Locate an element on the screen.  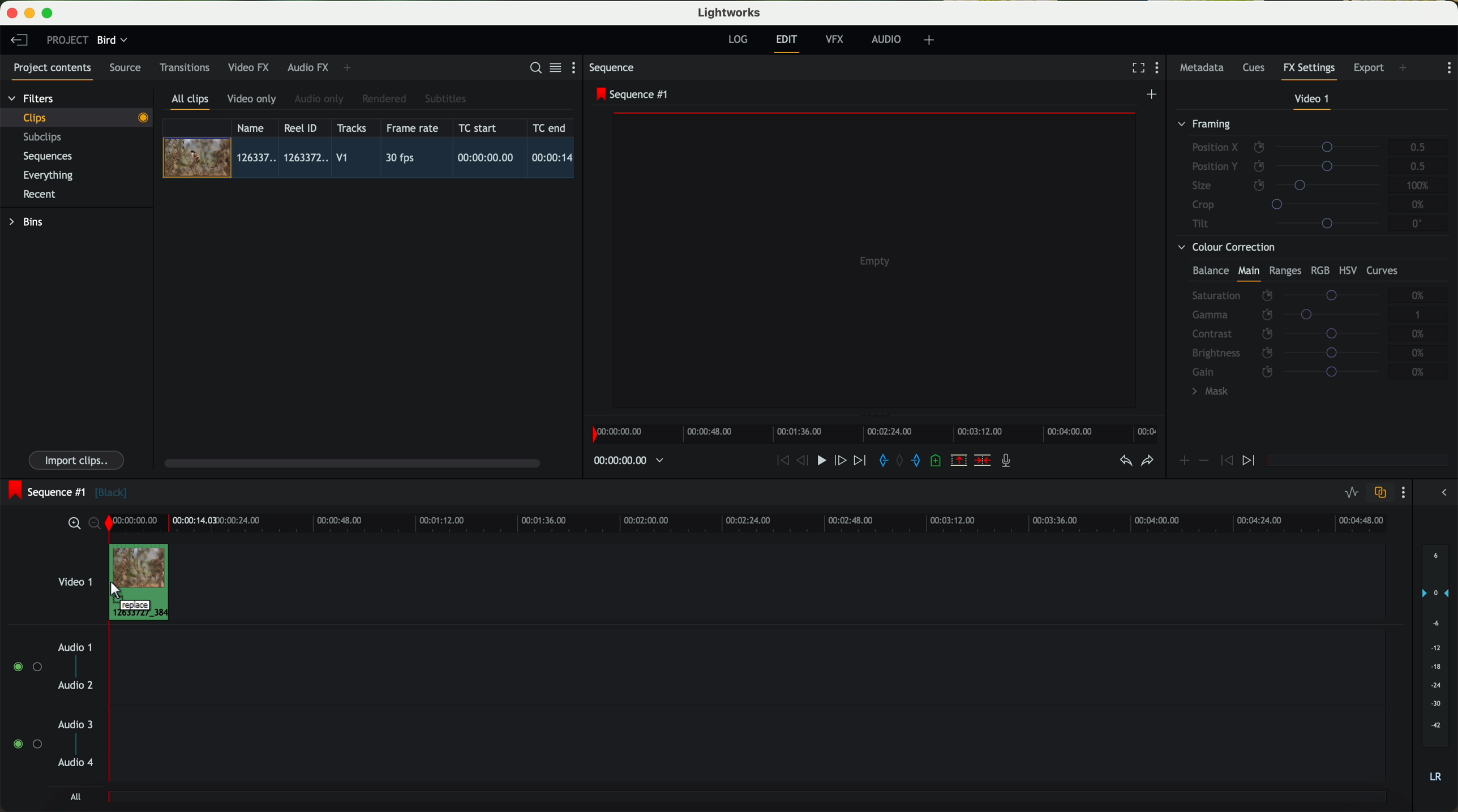
position Y is located at coordinates (1290, 166).